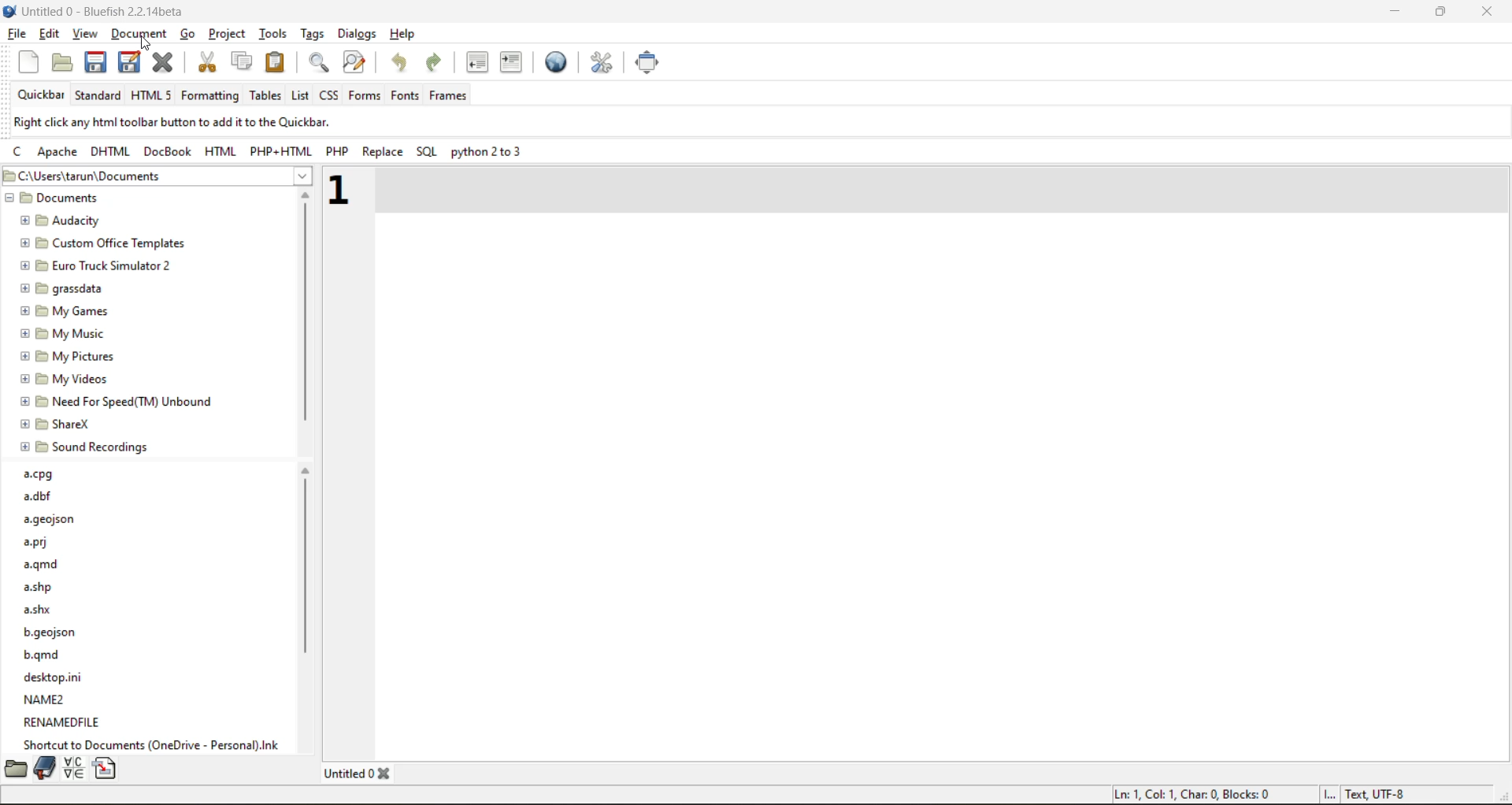 This screenshot has width=1512, height=805. What do you see at coordinates (277, 63) in the screenshot?
I see `paste` at bounding box center [277, 63].